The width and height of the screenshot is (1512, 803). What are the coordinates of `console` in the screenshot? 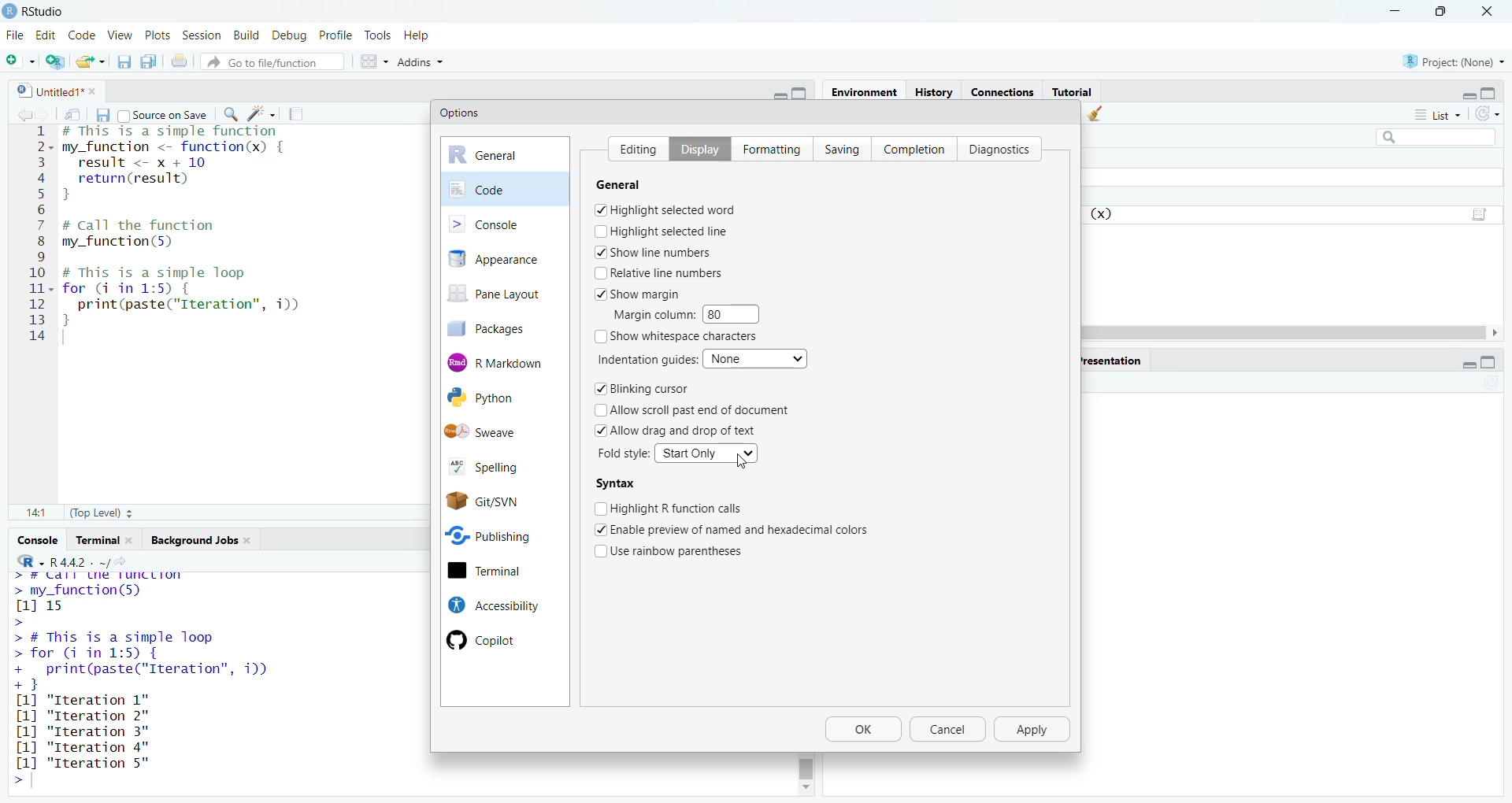 It's located at (35, 540).